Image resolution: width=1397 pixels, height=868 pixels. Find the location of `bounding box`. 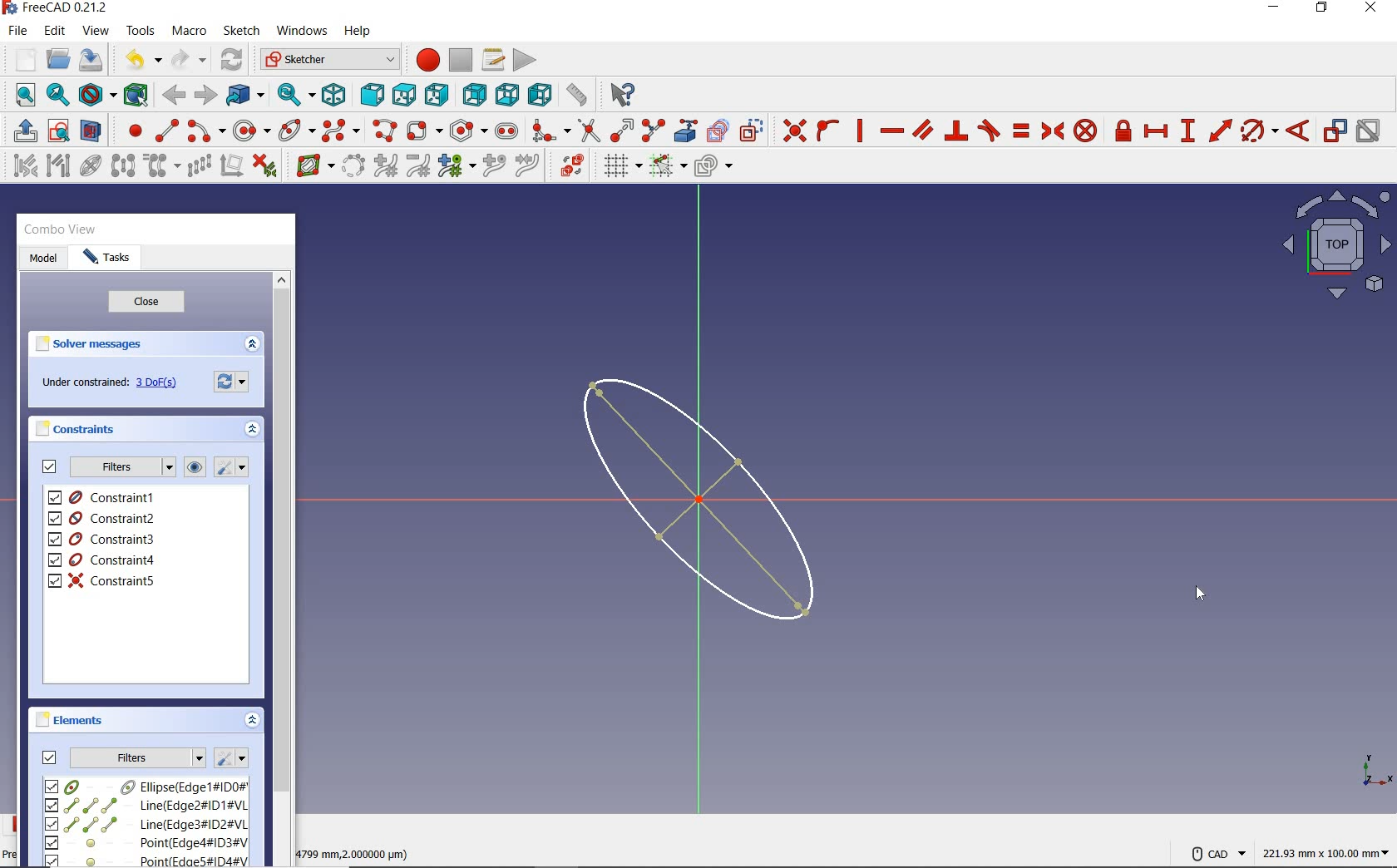

bounding box is located at coordinates (136, 94).